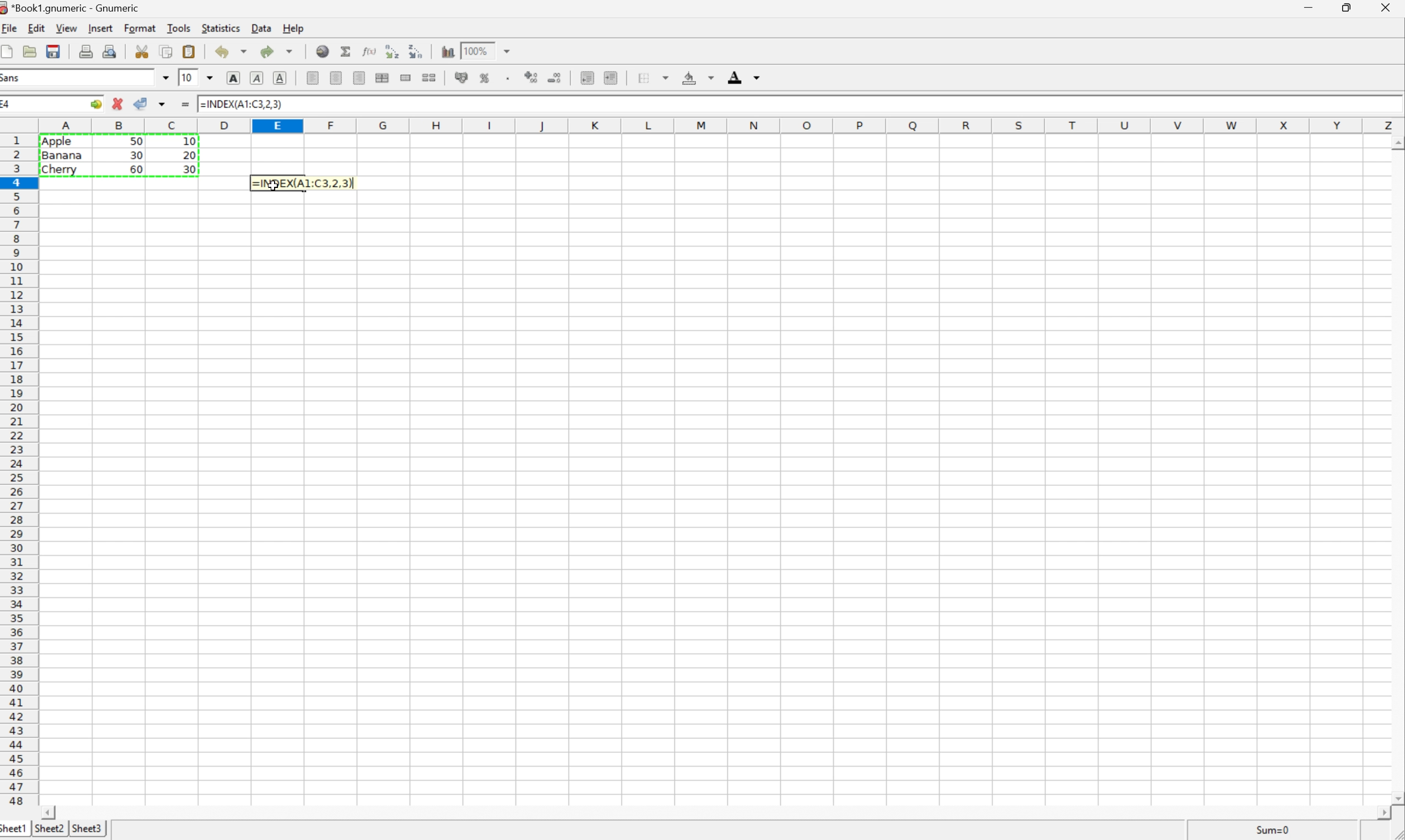  Describe the element at coordinates (531, 76) in the screenshot. I see `increase number of decimals displayed` at that location.